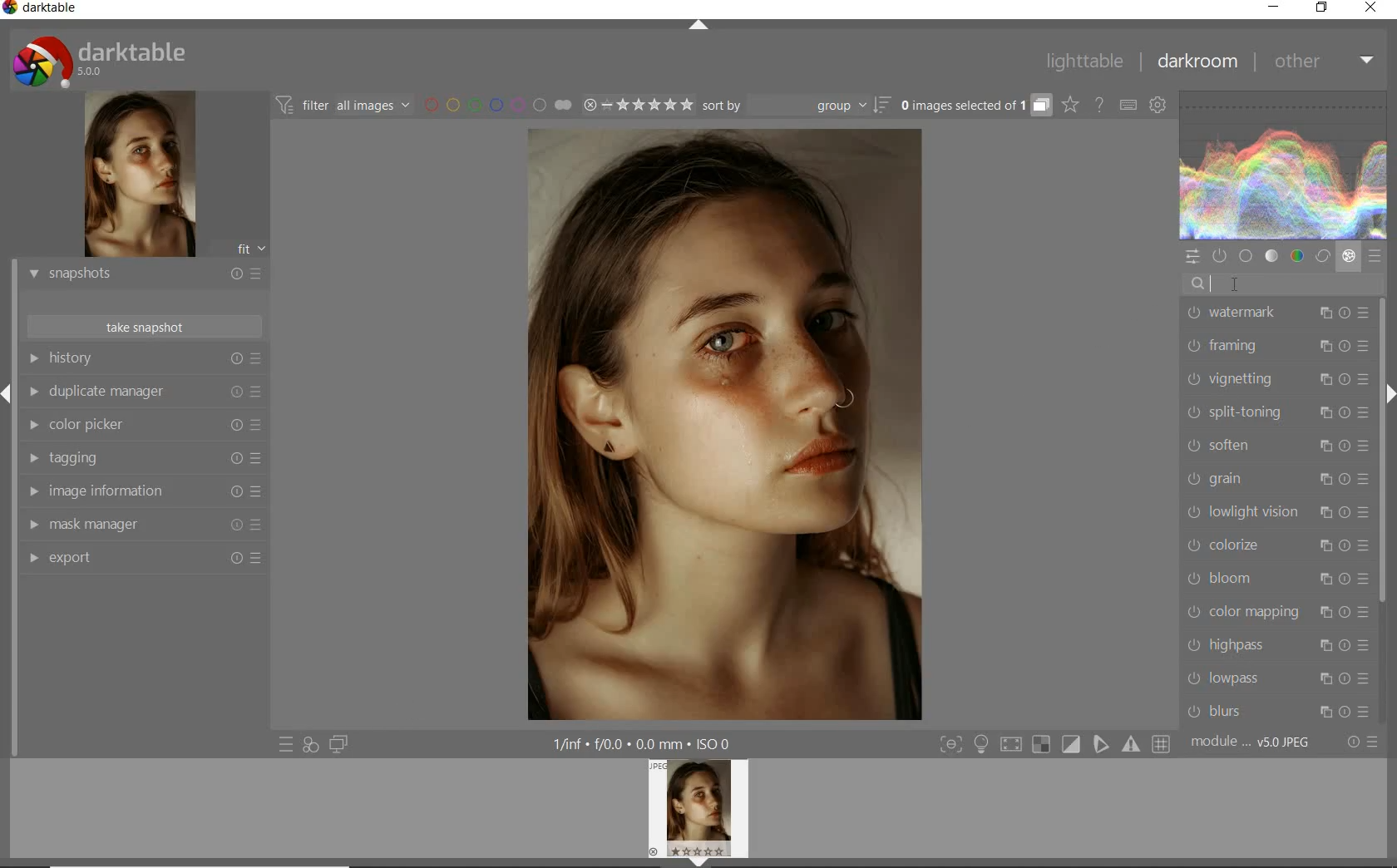 The width and height of the screenshot is (1397, 868). Describe the element at coordinates (637, 106) in the screenshot. I see `range rating of selected images` at that location.